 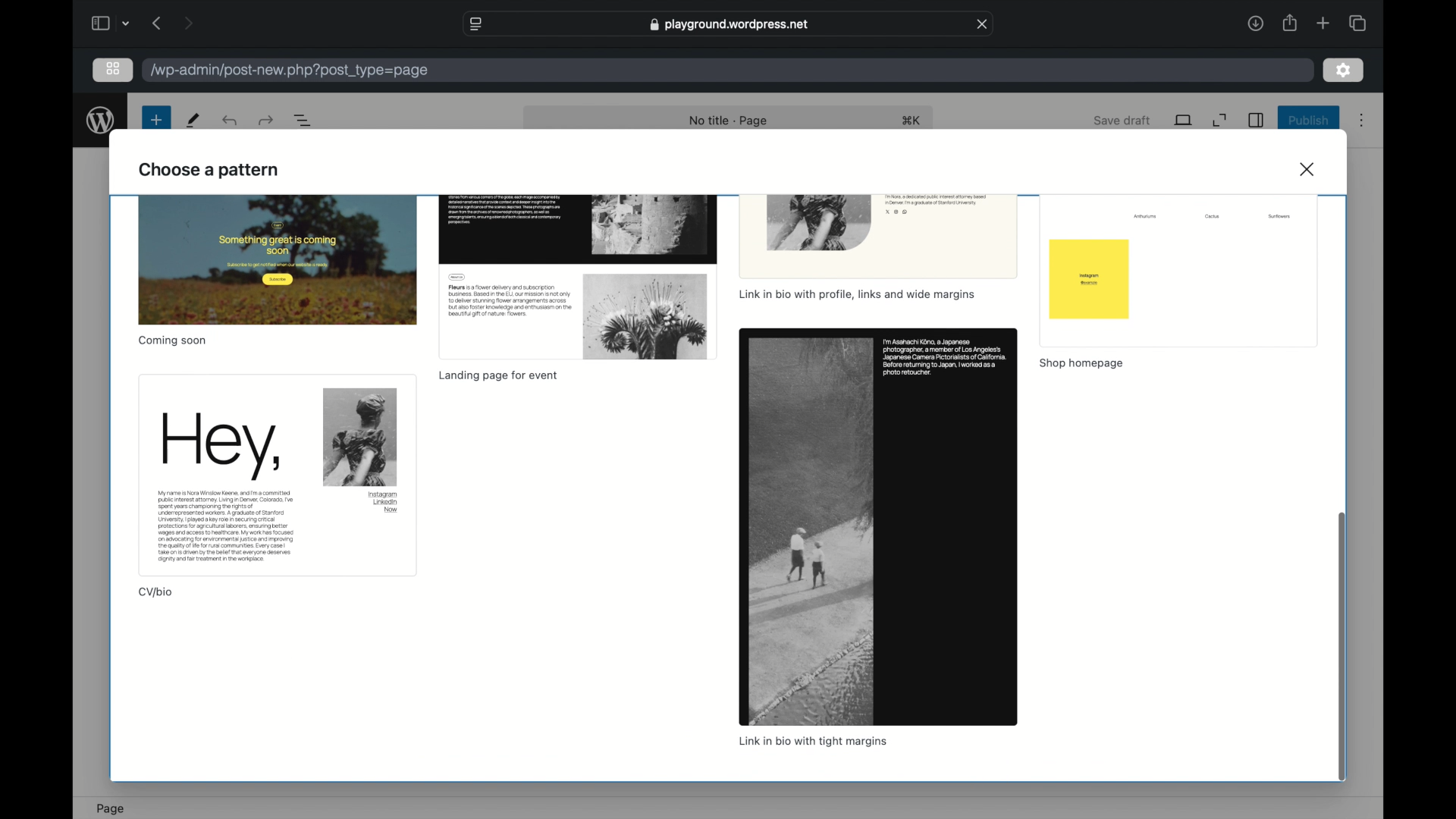 What do you see at coordinates (306, 121) in the screenshot?
I see `document overview` at bounding box center [306, 121].